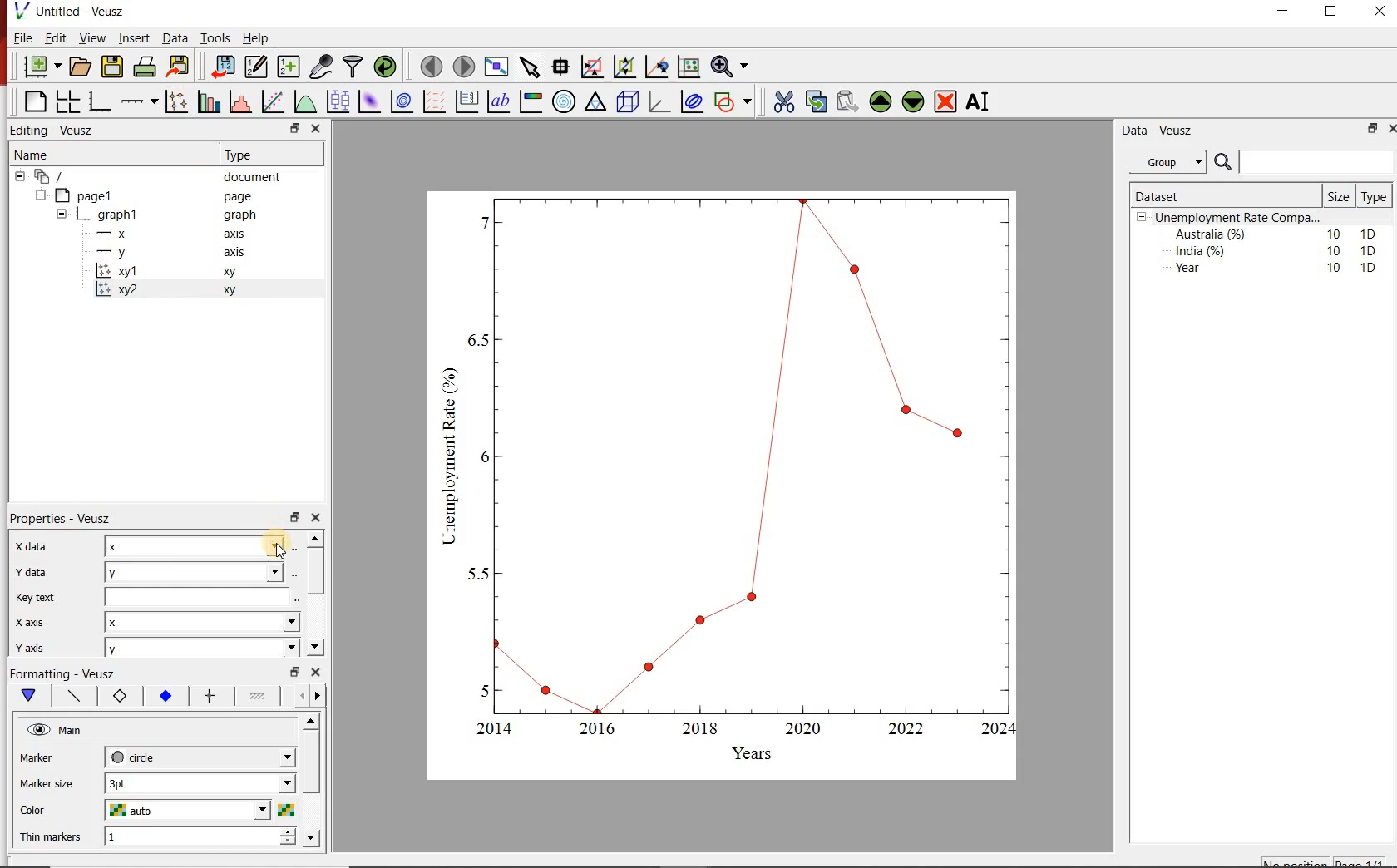 The image size is (1397, 868). Describe the element at coordinates (198, 755) in the screenshot. I see `circle` at that location.